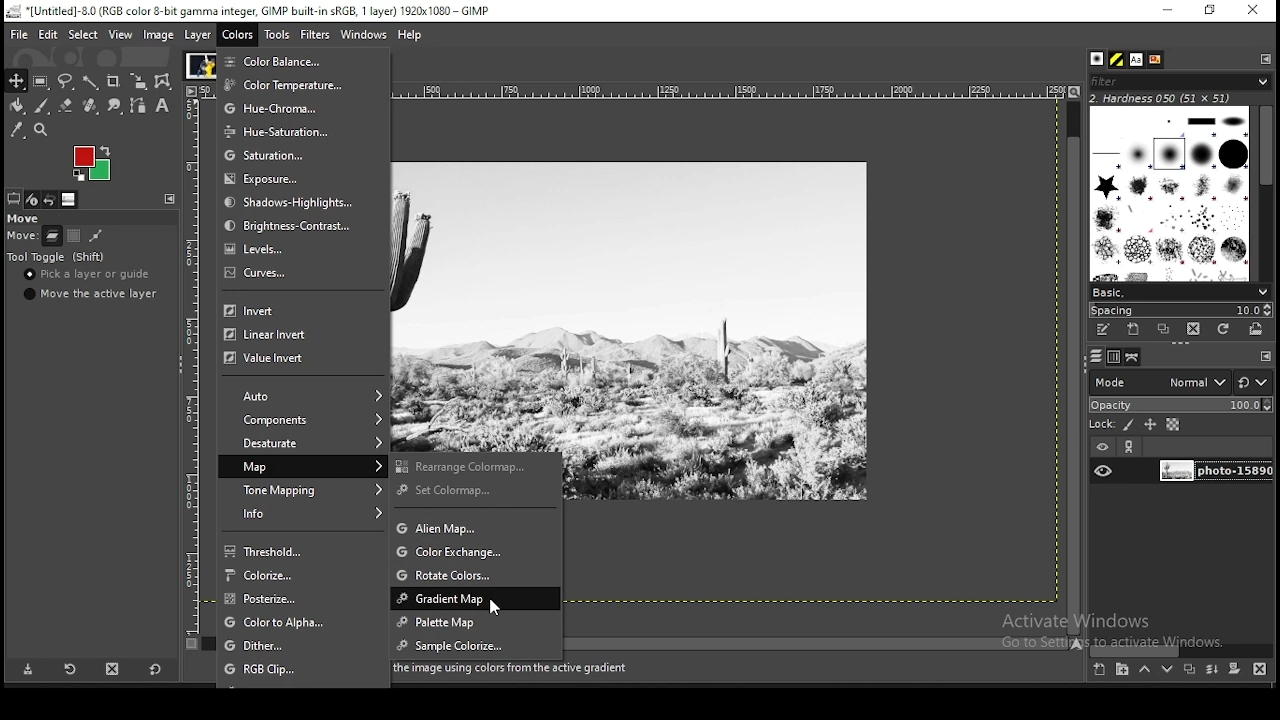  What do you see at coordinates (1185, 98) in the screenshot?
I see `hardness 050` at bounding box center [1185, 98].